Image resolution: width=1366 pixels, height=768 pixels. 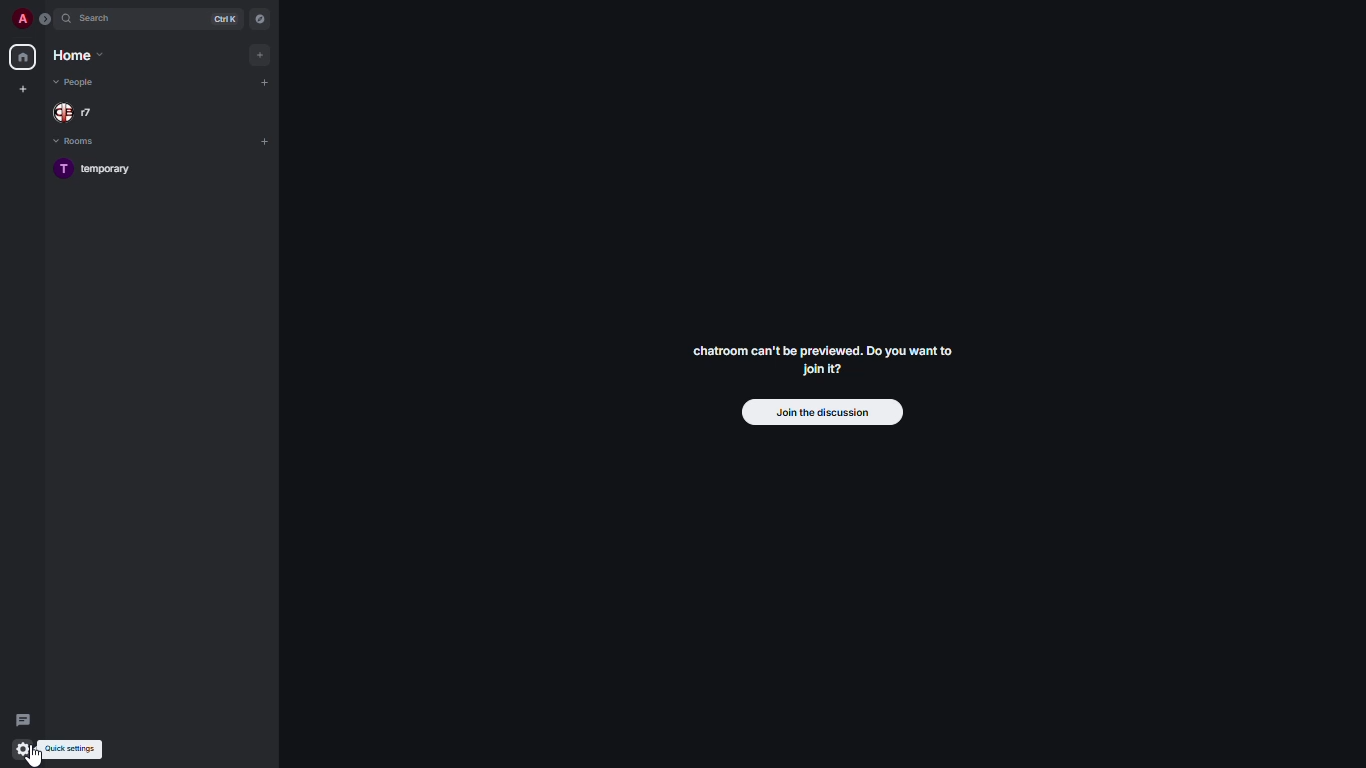 What do you see at coordinates (24, 56) in the screenshot?
I see `home` at bounding box center [24, 56].